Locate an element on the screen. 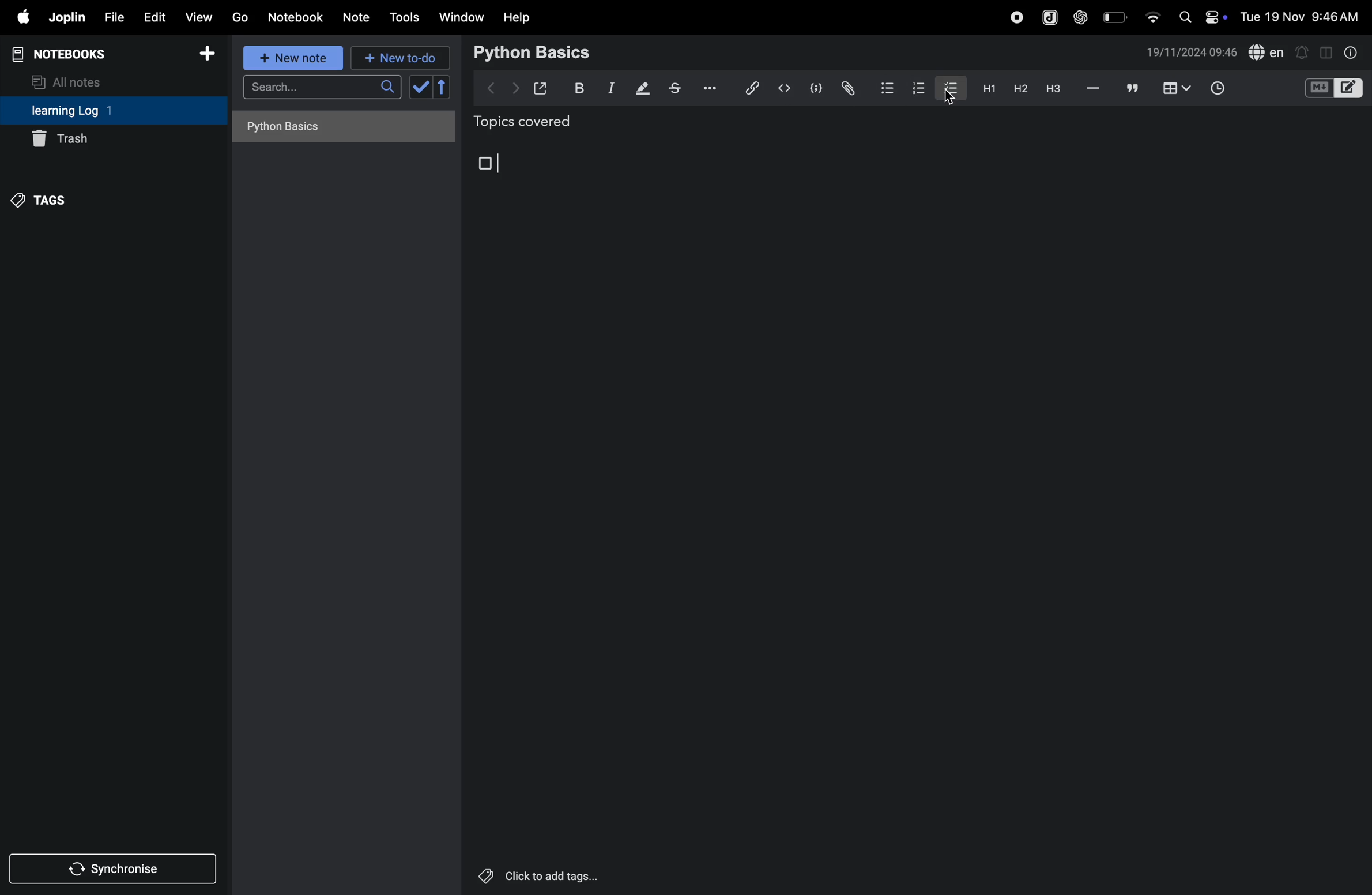  window is located at coordinates (462, 17).